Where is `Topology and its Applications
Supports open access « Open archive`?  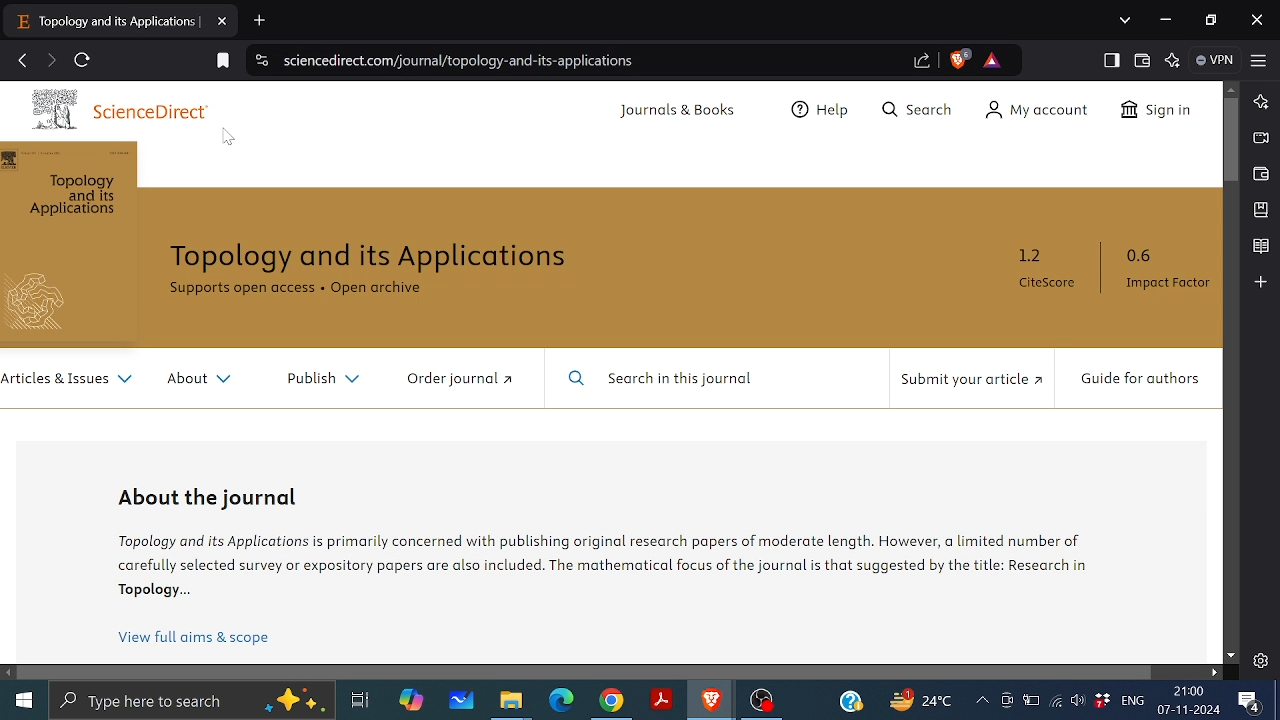
Topology and its Applications
Supports open access « Open archive is located at coordinates (381, 268).